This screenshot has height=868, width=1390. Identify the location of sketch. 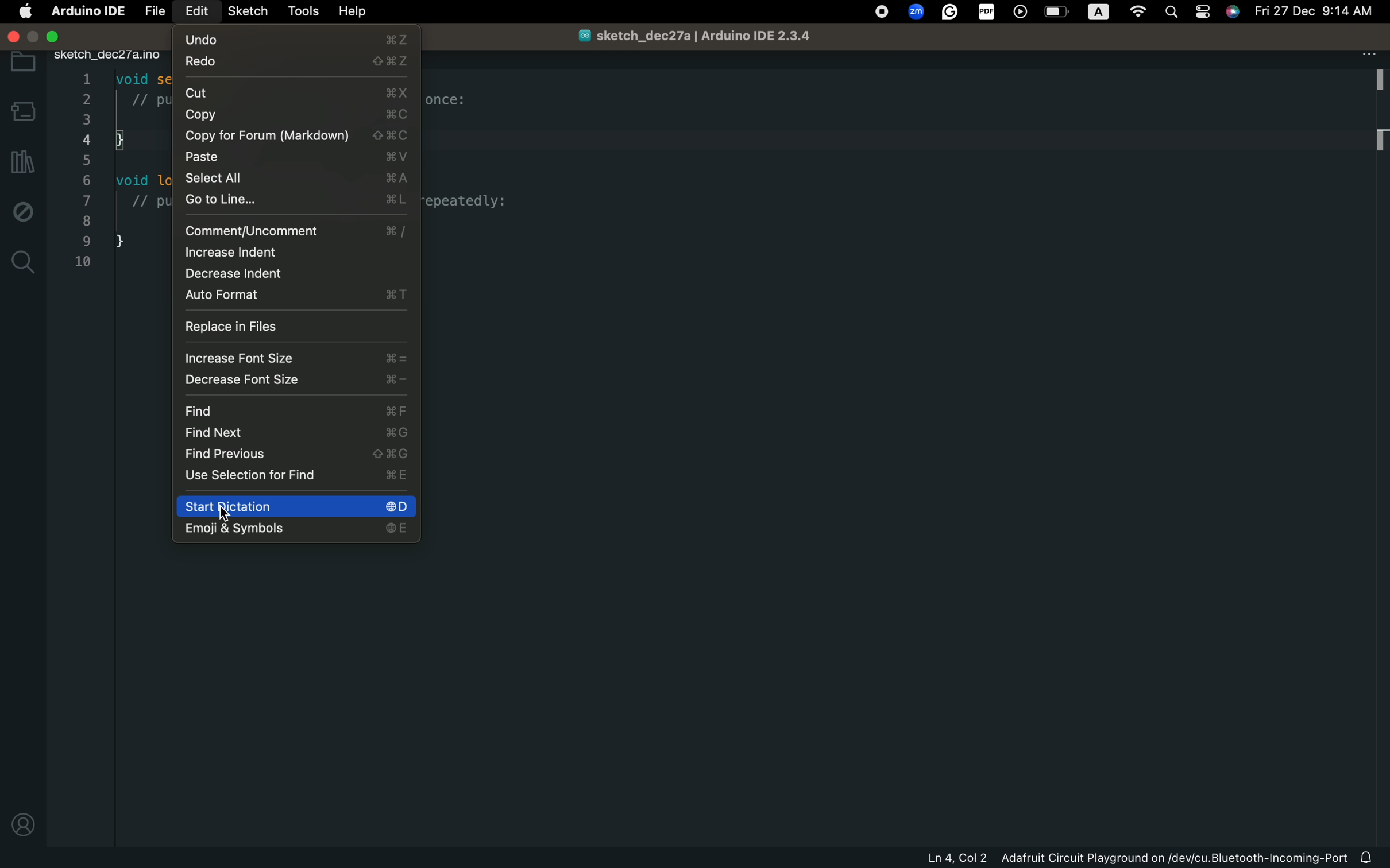
(247, 12).